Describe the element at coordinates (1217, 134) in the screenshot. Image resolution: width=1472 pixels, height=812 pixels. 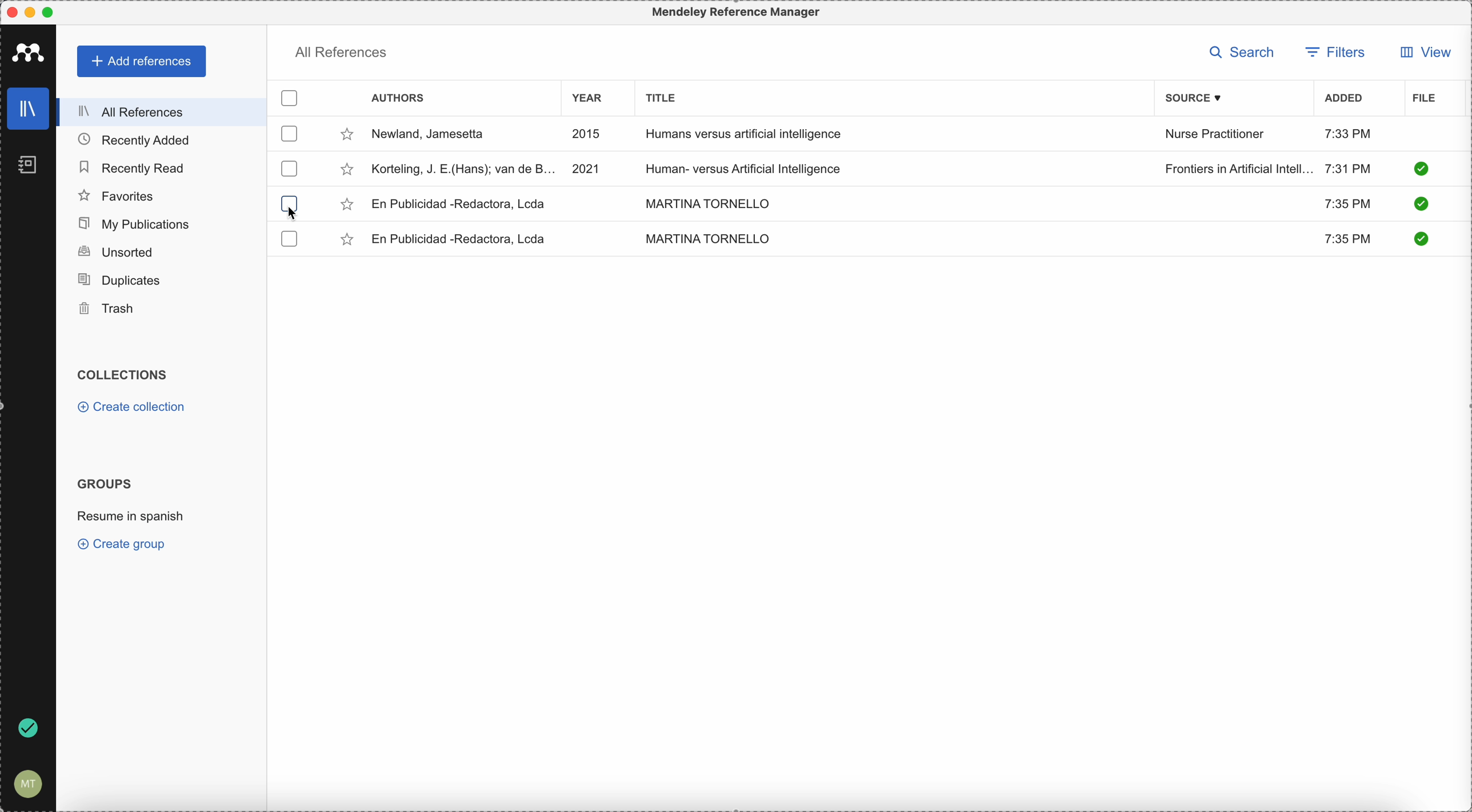
I see `Nurse Practitioner` at that location.